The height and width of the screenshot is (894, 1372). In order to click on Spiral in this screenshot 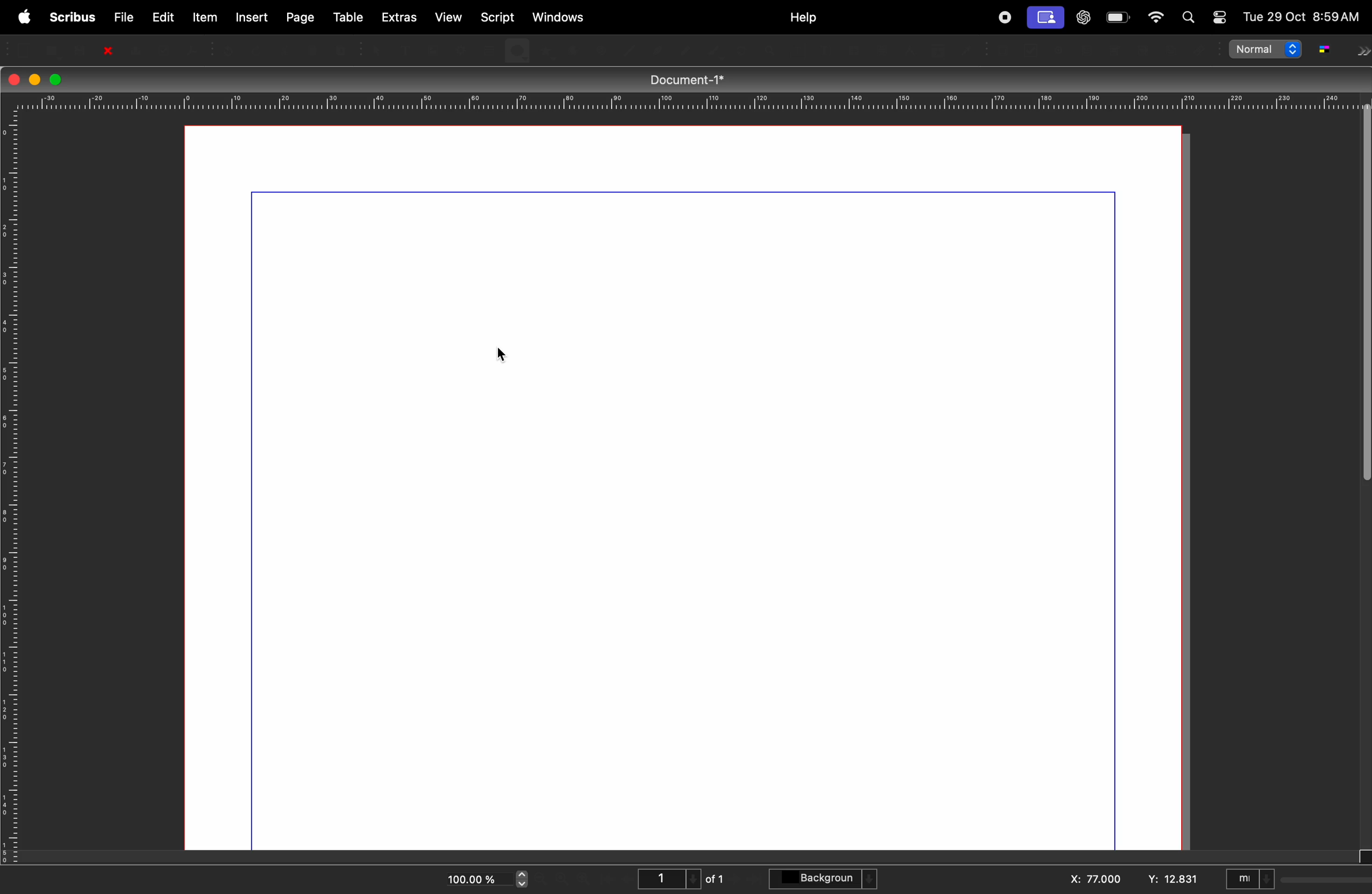, I will do `click(601, 50)`.